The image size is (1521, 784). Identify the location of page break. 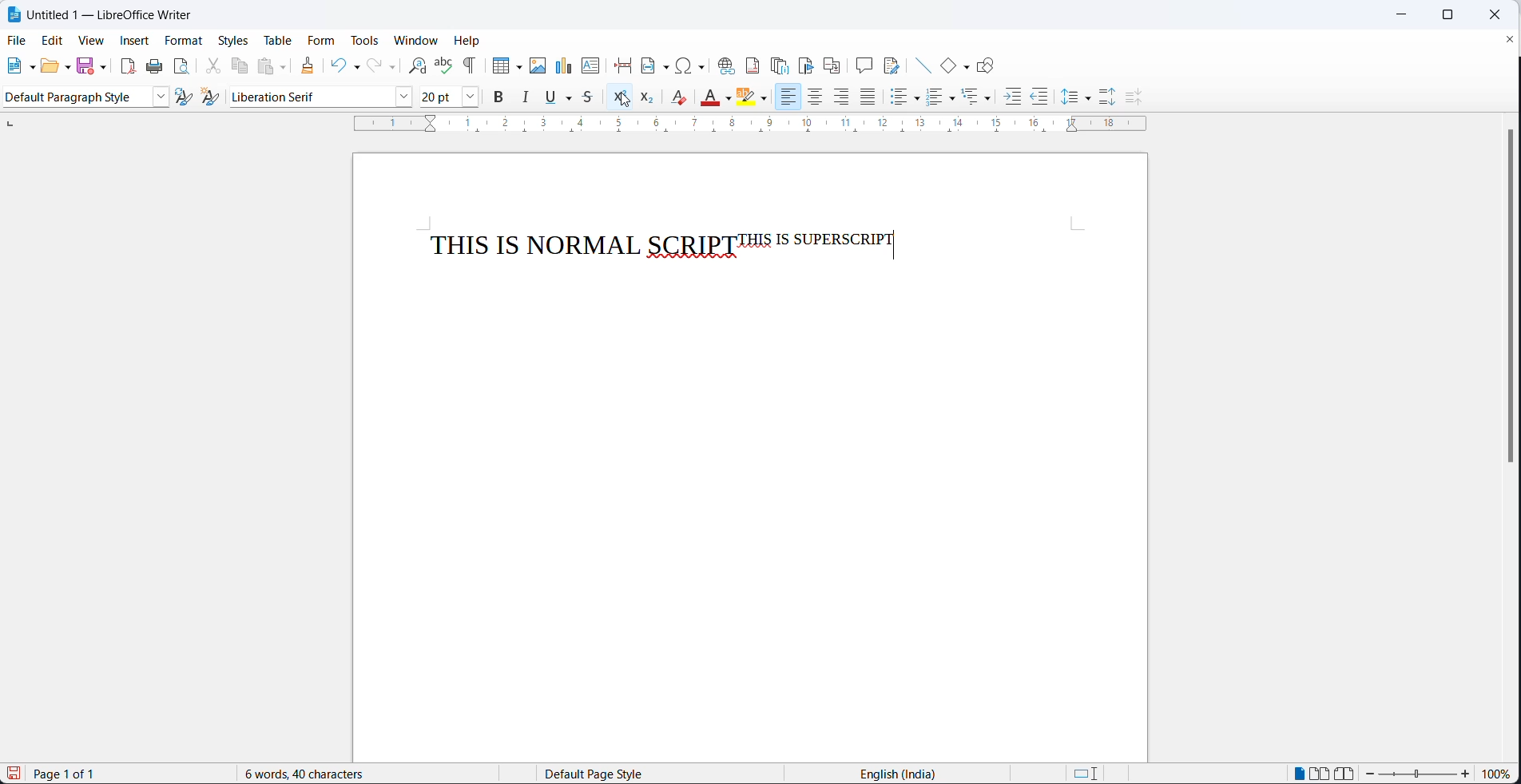
(622, 63).